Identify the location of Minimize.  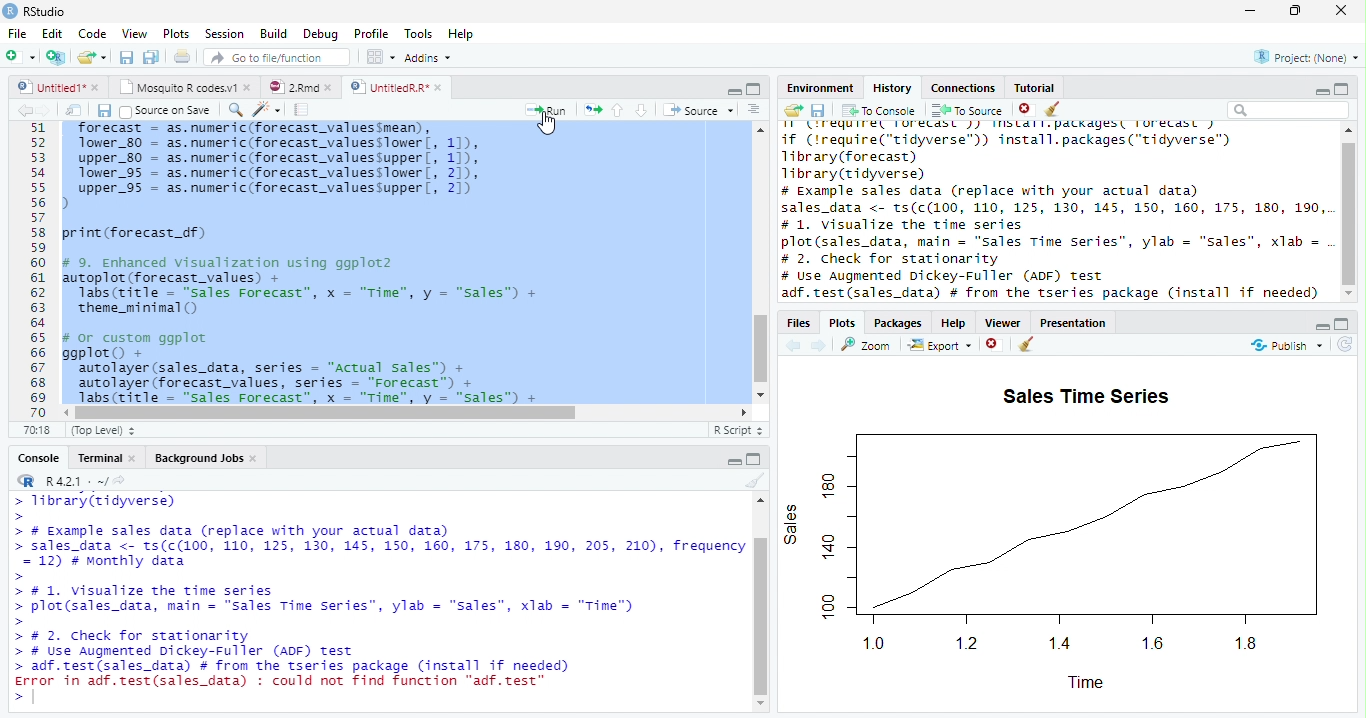
(1318, 326).